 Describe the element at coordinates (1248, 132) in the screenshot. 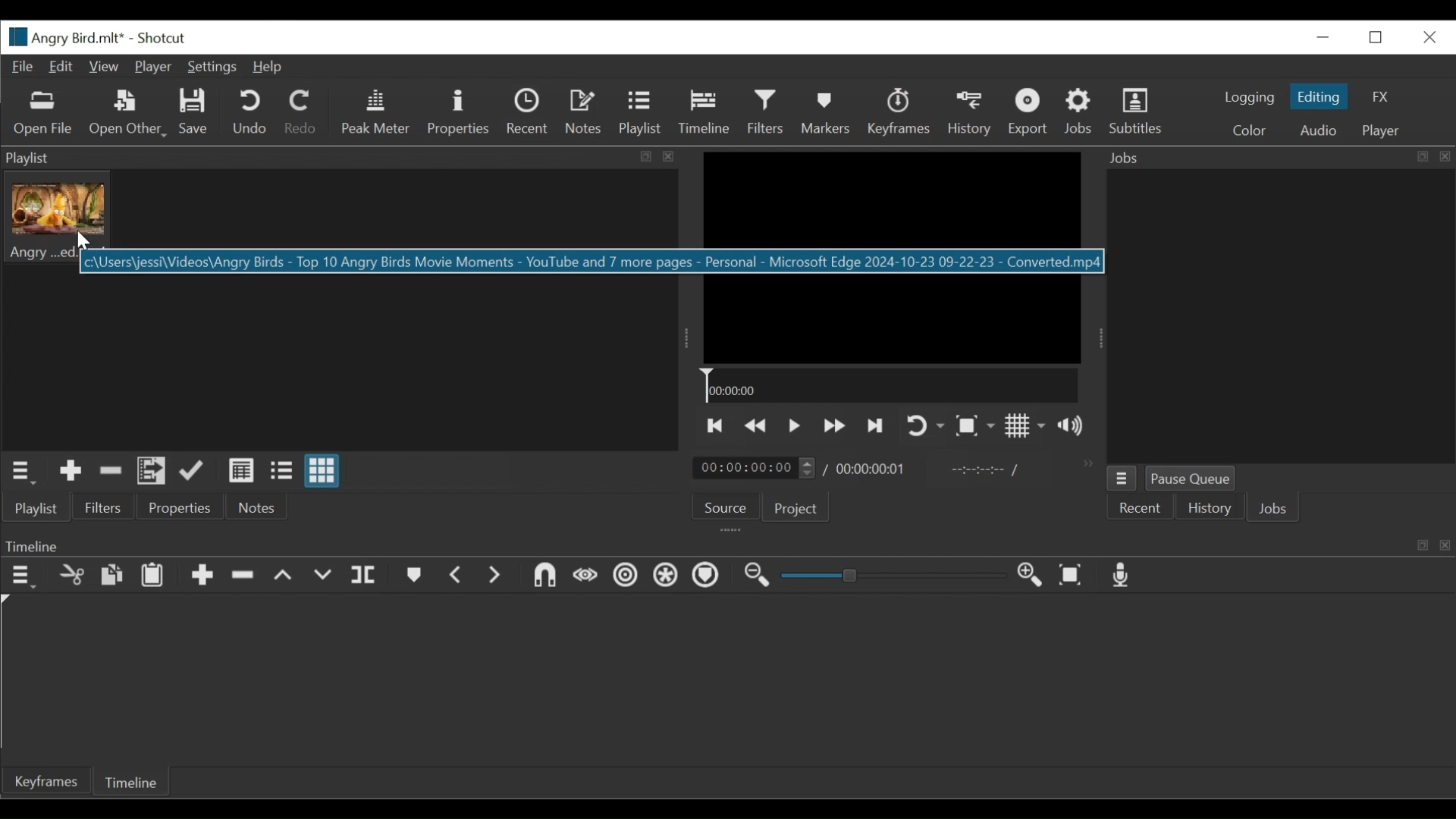

I see `Color` at that location.